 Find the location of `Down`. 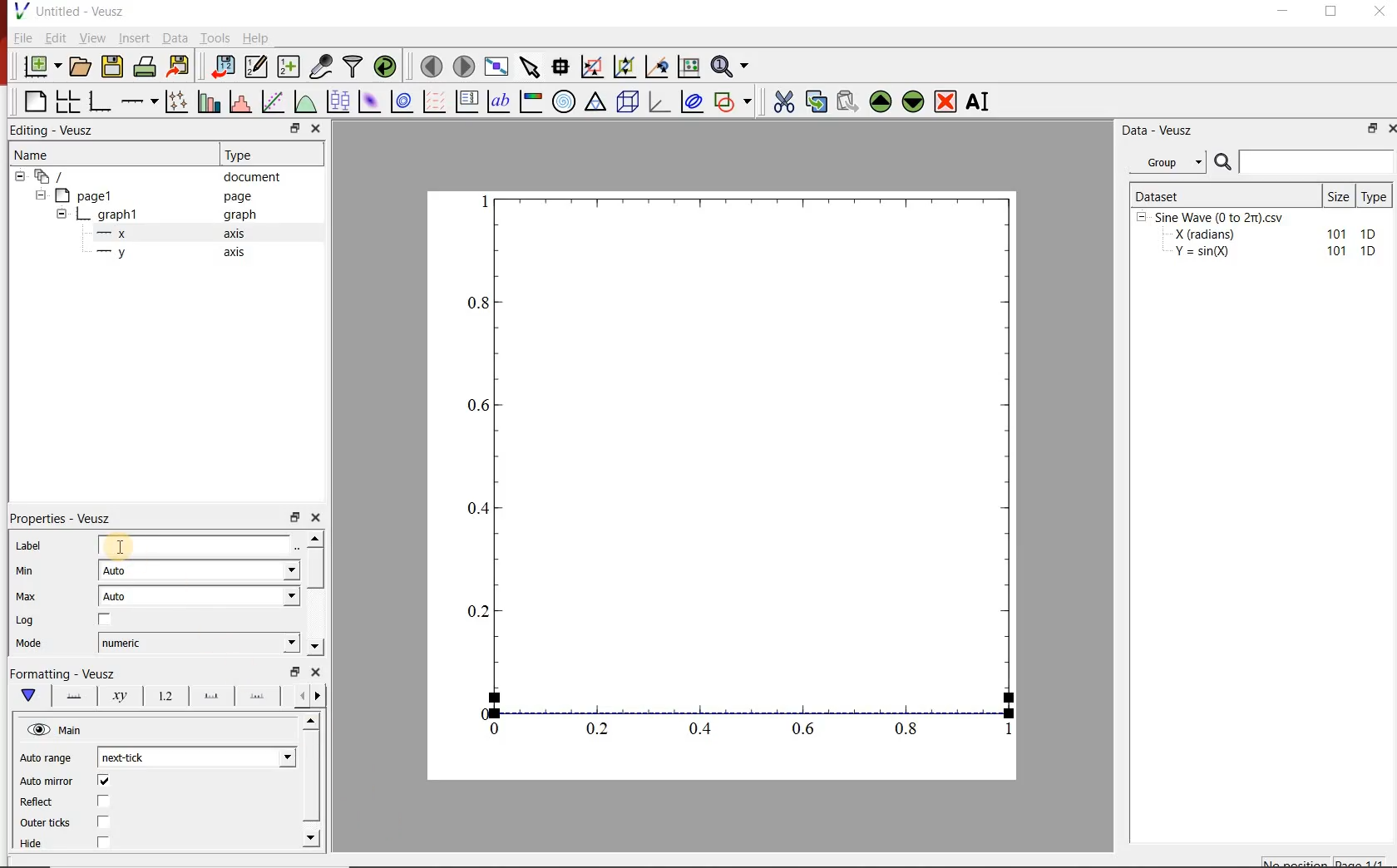

Down is located at coordinates (315, 647).